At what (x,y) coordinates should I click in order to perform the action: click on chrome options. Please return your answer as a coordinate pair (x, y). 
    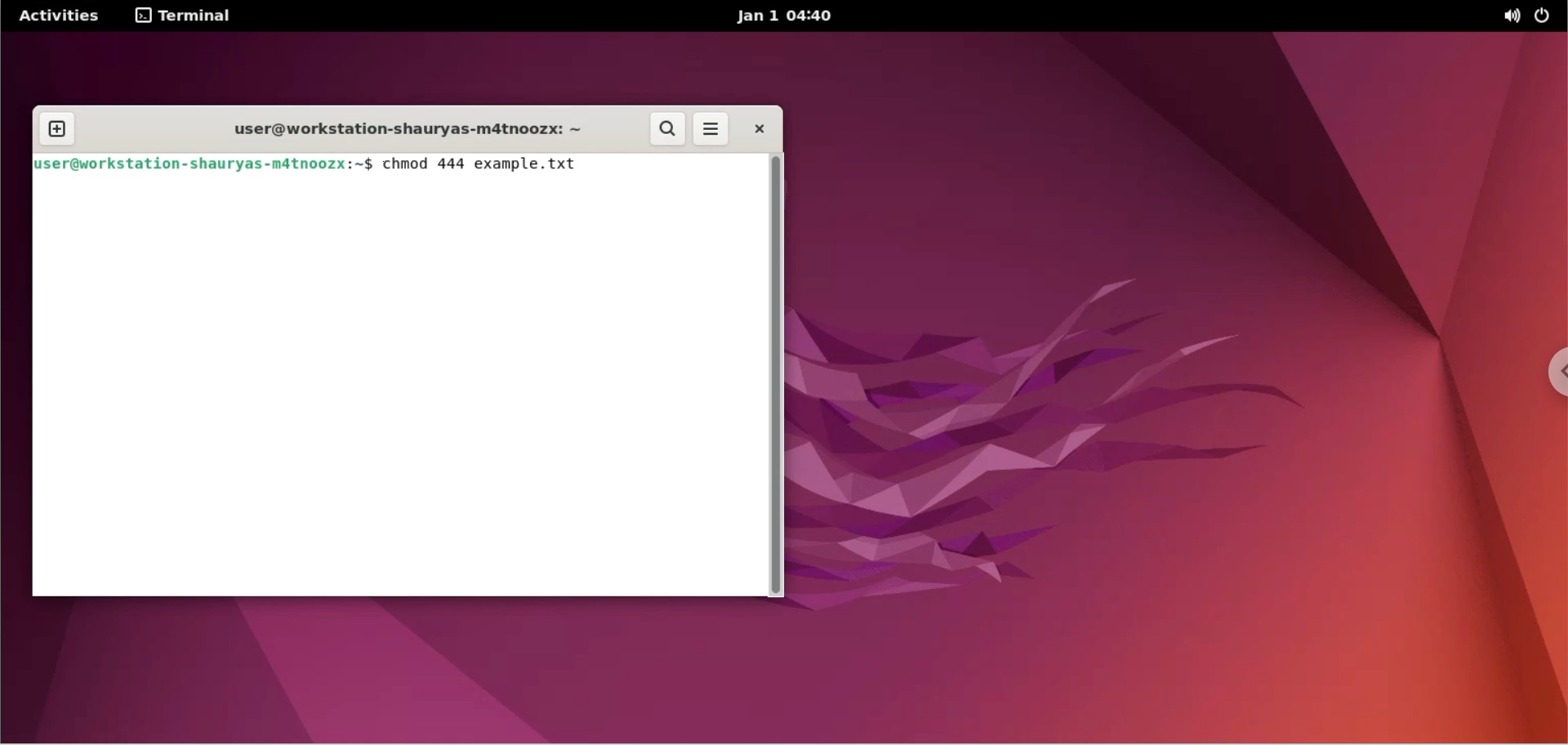
    Looking at the image, I should click on (1548, 379).